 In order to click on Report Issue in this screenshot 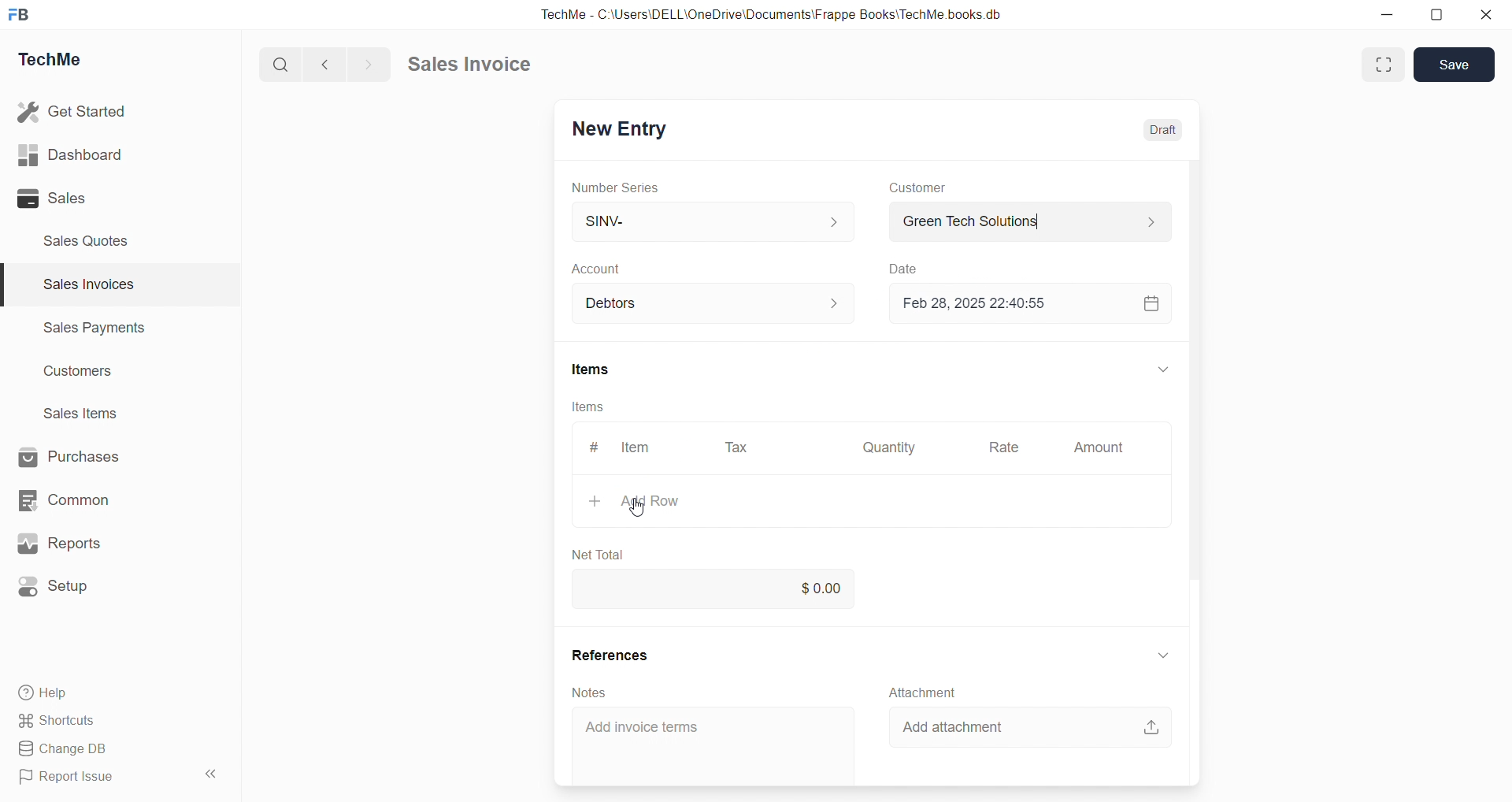, I will do `click(71, 774)`.